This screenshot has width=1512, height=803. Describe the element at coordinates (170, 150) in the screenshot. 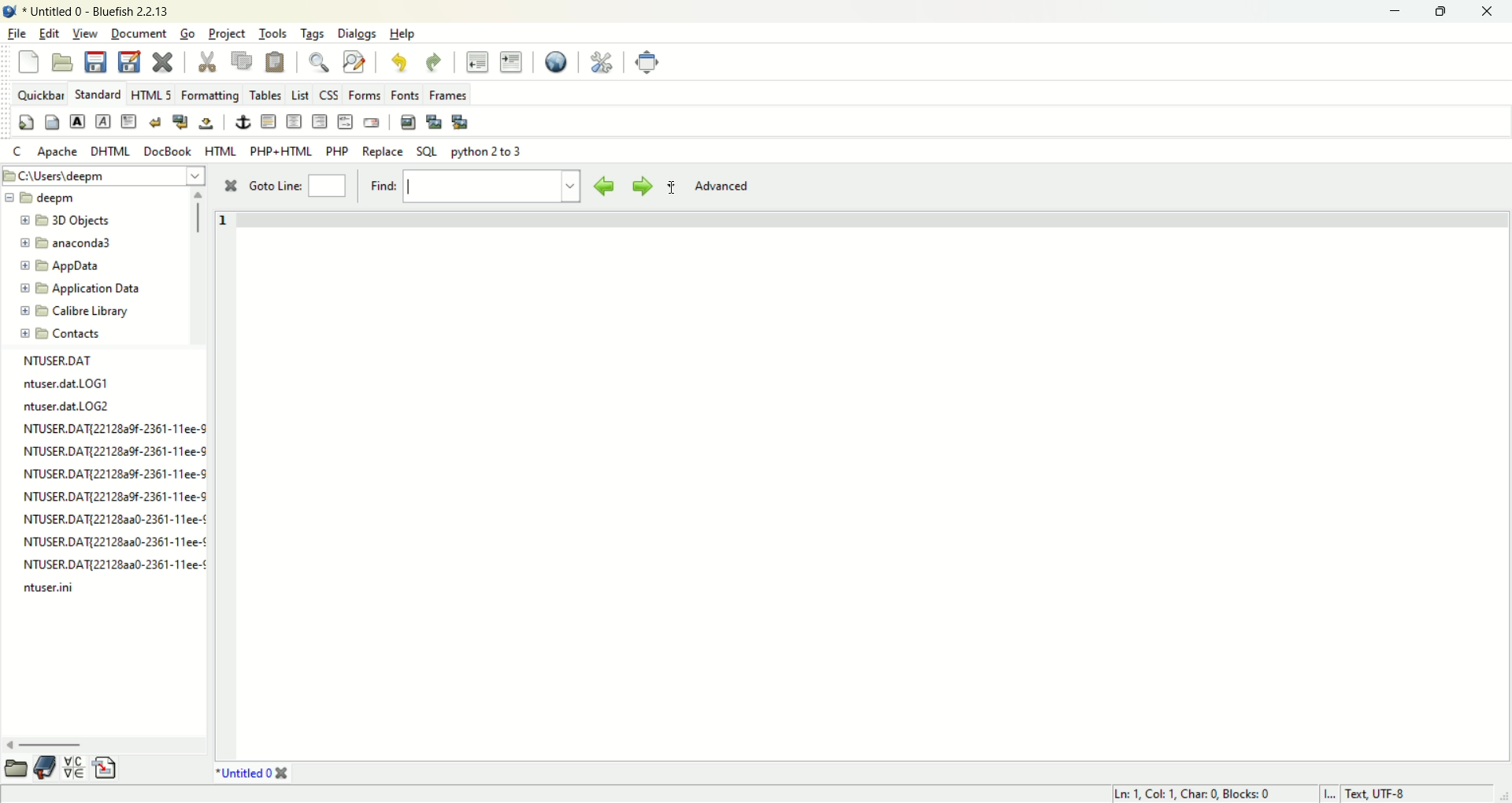

I see `docbook` at that location.